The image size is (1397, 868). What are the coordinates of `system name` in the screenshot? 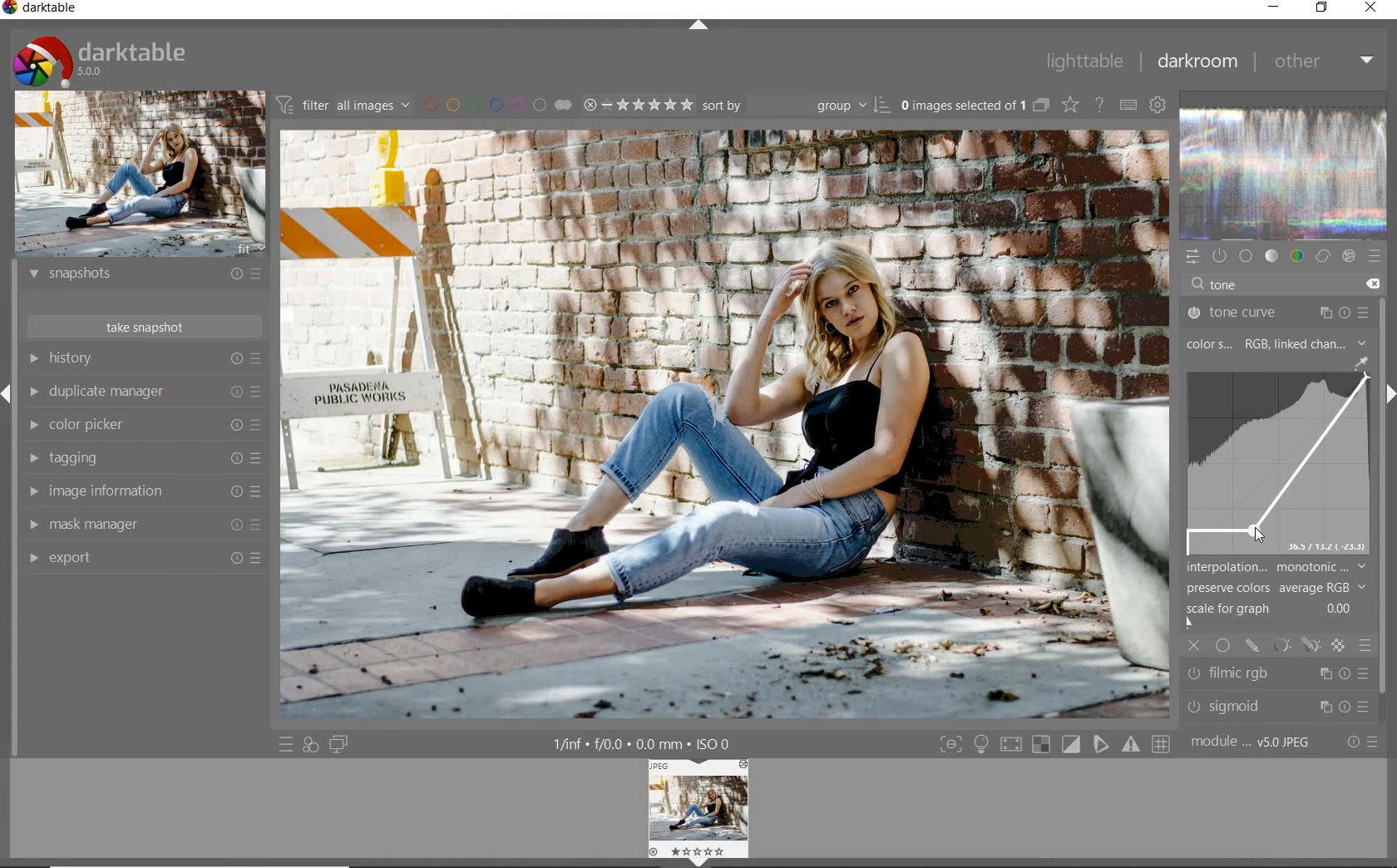 It's located at (45, 10).